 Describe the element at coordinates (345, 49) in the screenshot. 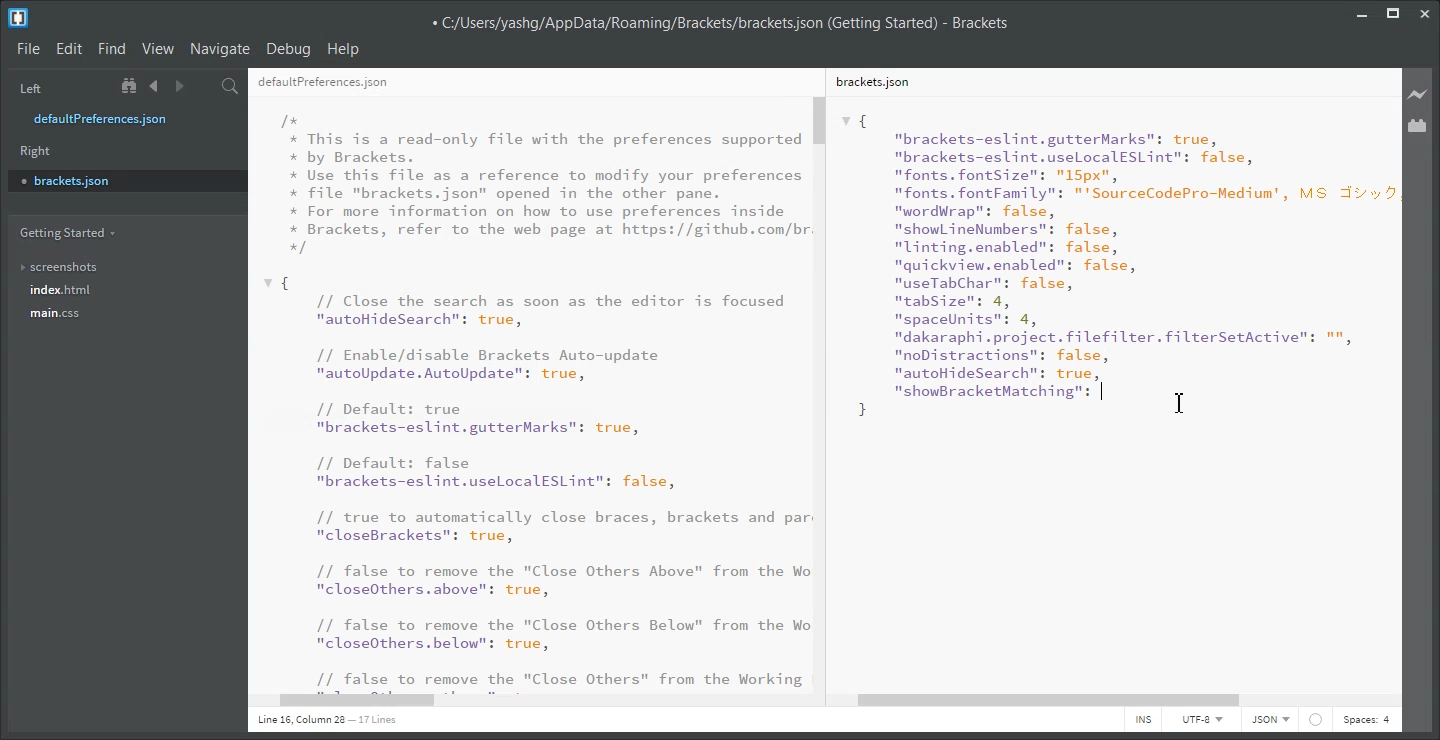

I see `Help` at that location.